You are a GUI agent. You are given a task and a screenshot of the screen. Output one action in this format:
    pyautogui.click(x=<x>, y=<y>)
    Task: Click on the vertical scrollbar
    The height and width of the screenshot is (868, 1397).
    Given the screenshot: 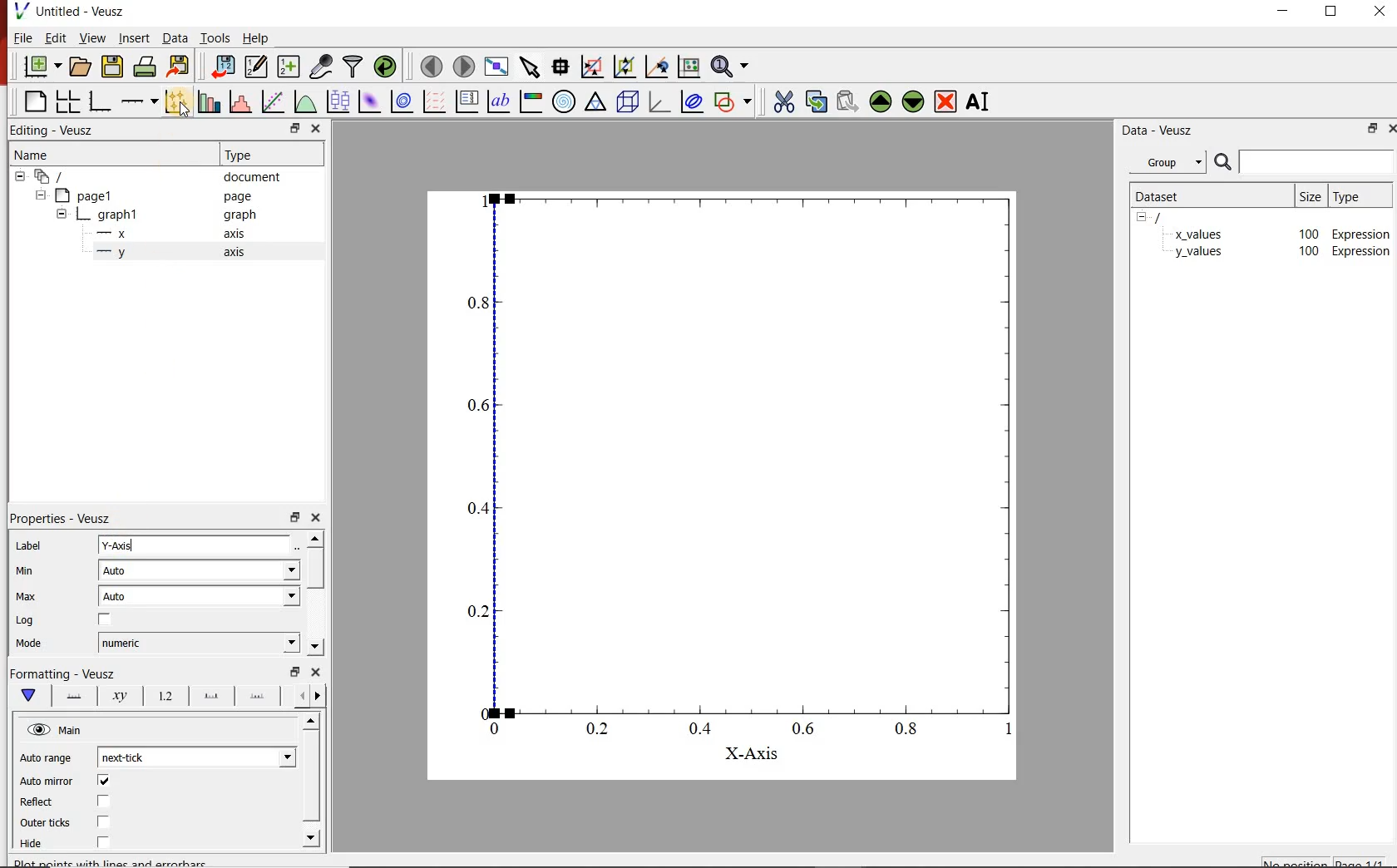 What is the action you would take?
    pyautogui.click(x=314, y=569)
    